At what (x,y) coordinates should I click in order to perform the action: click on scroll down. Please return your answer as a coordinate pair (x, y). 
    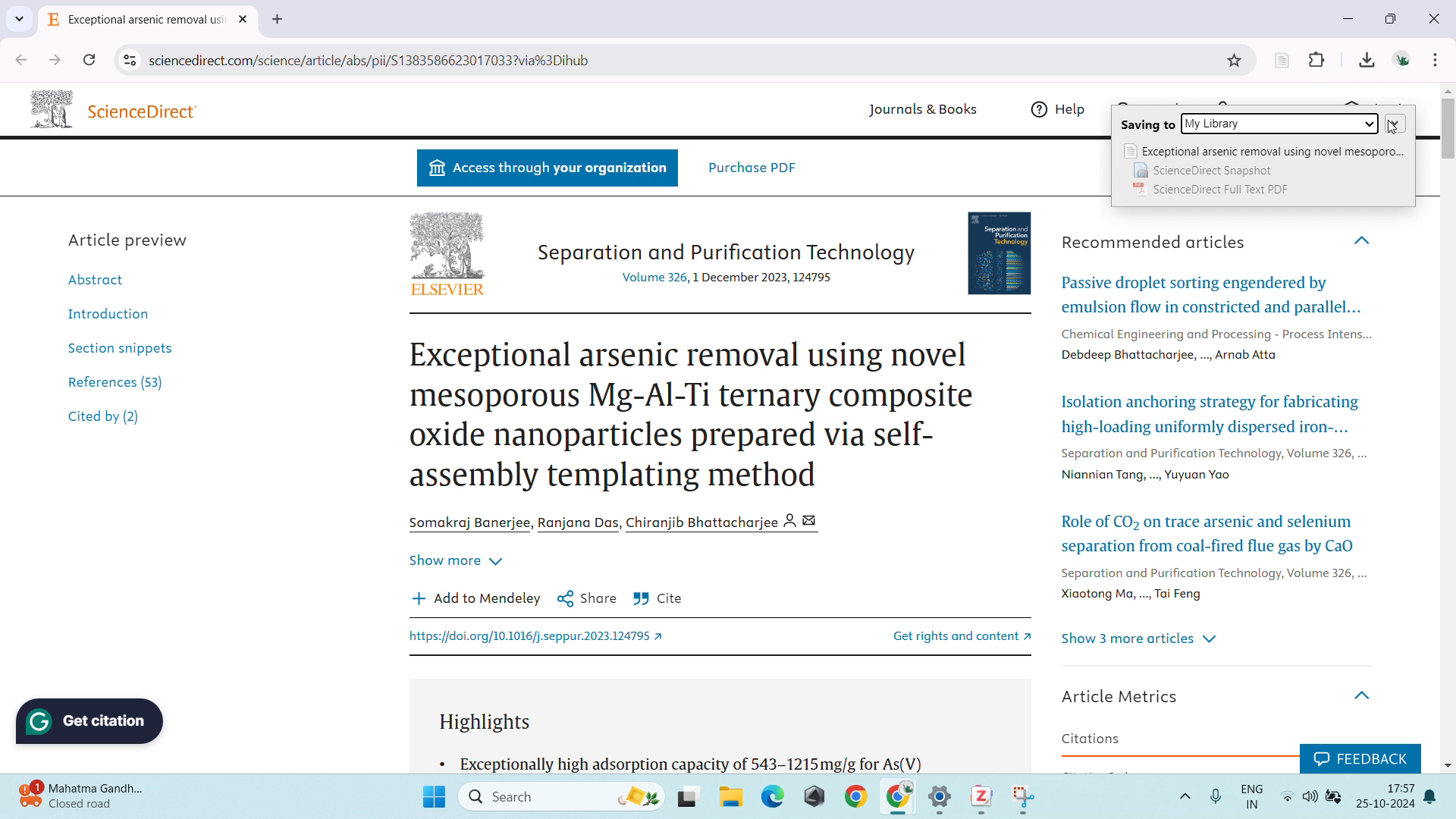
    Looking at the image, I should click on (1447, 764).